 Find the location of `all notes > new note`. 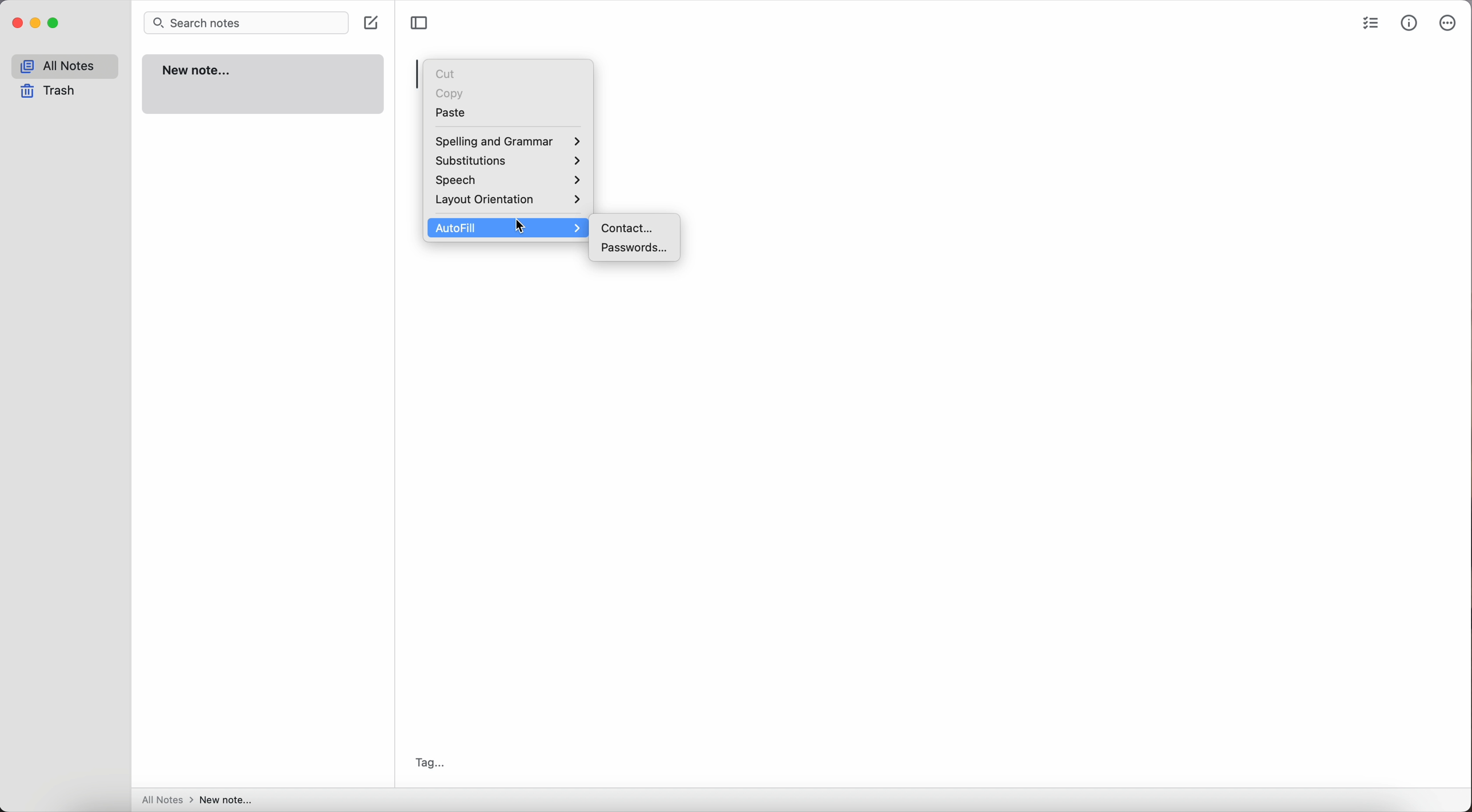

all notes > new note is located at coordinates (197, 801).